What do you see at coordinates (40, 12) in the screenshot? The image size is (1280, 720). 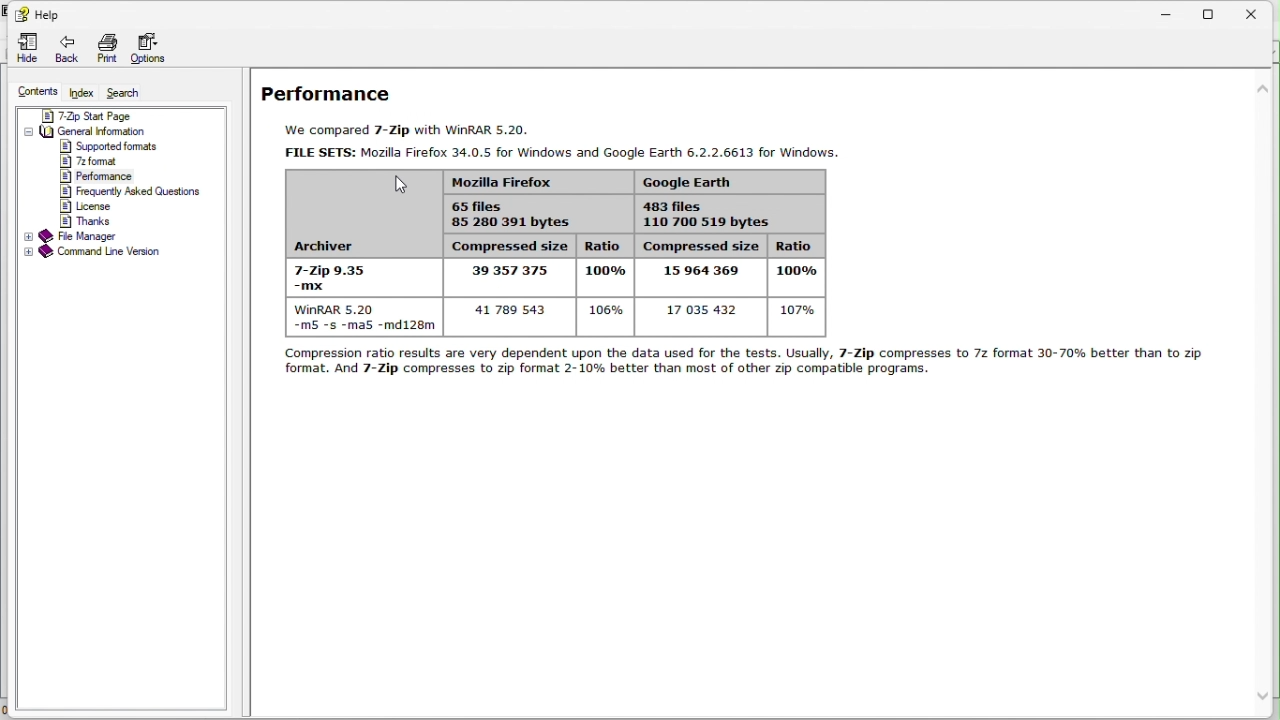 I see `help` at bounding box center [40, 12].